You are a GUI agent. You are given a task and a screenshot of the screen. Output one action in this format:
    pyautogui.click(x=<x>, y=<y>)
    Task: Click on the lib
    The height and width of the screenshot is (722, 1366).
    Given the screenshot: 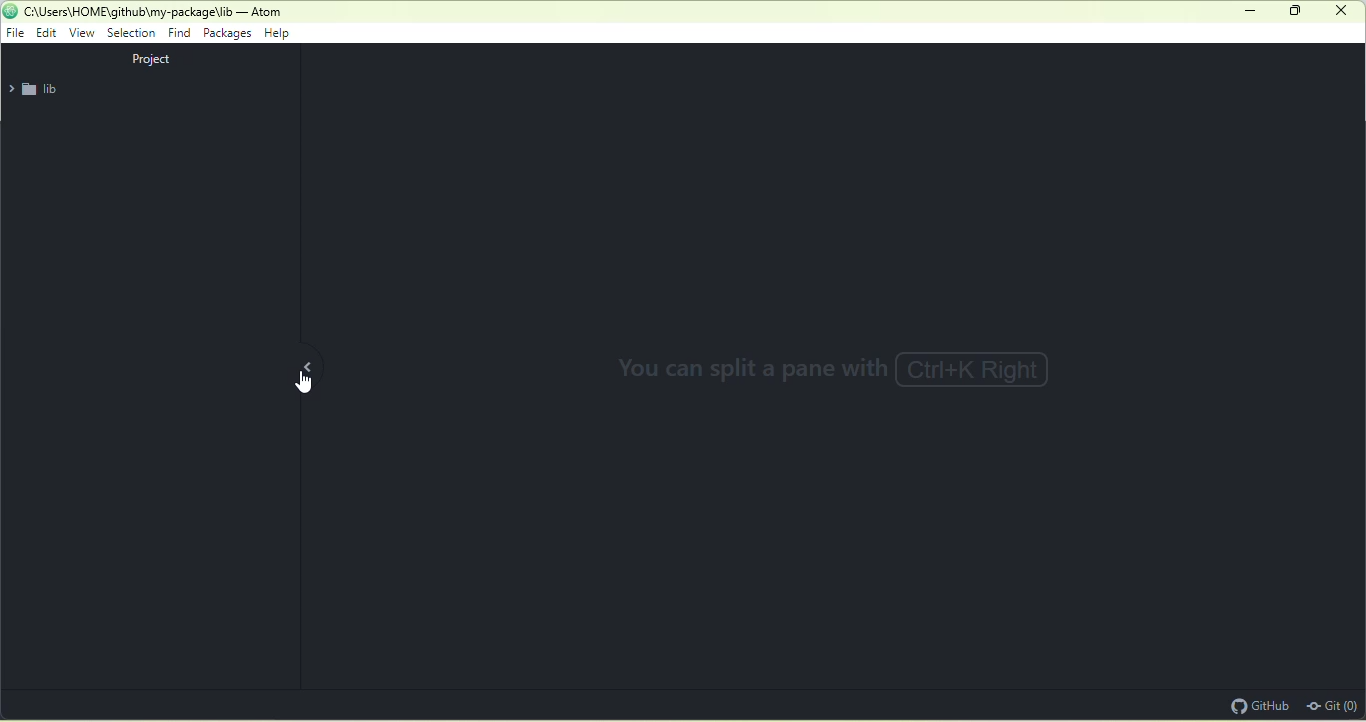 What is the action you would take?
    pyautogui.click(x=50, y=90)
    